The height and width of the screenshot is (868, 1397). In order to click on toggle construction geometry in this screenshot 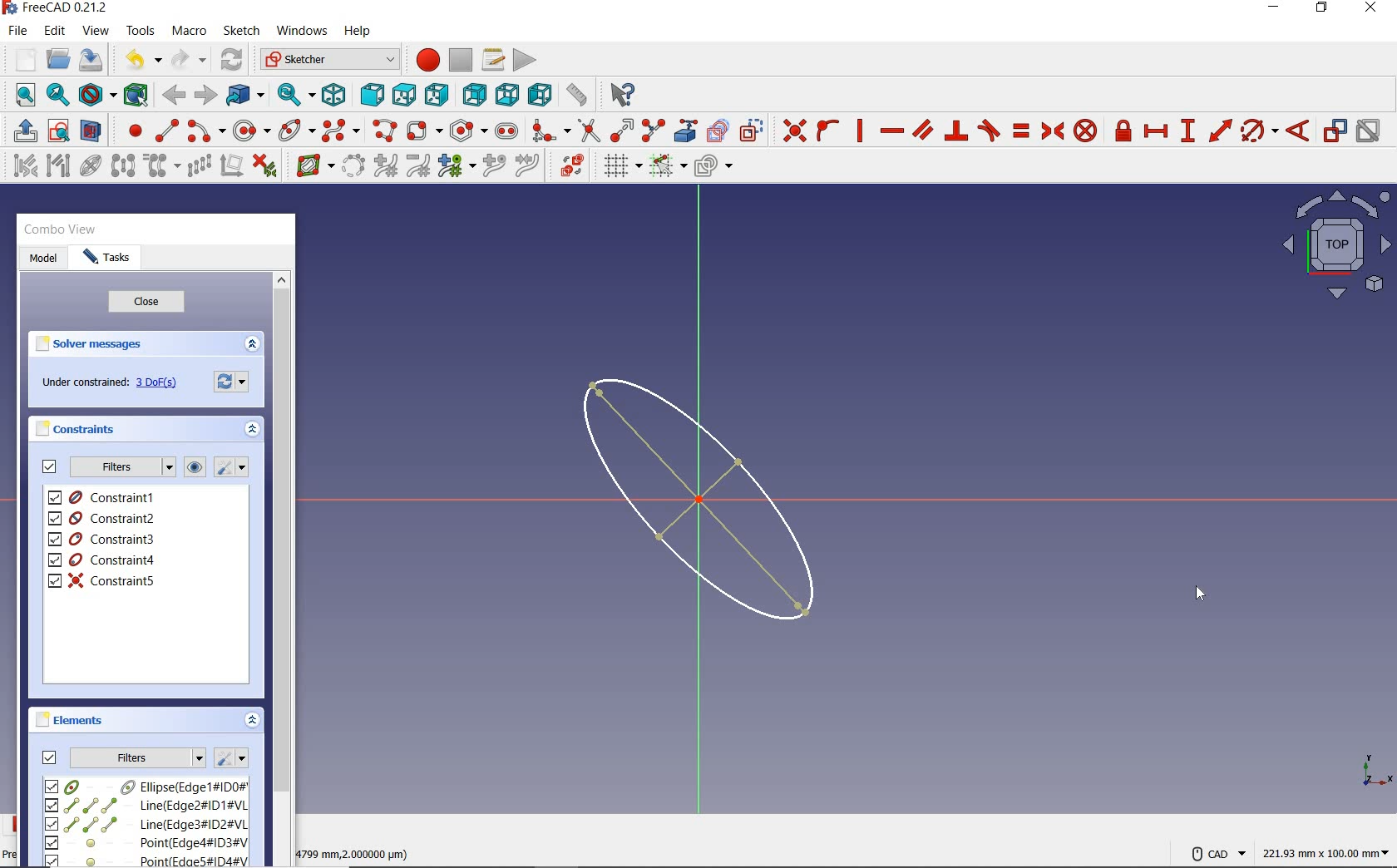, I will do `click(752, 130)`.